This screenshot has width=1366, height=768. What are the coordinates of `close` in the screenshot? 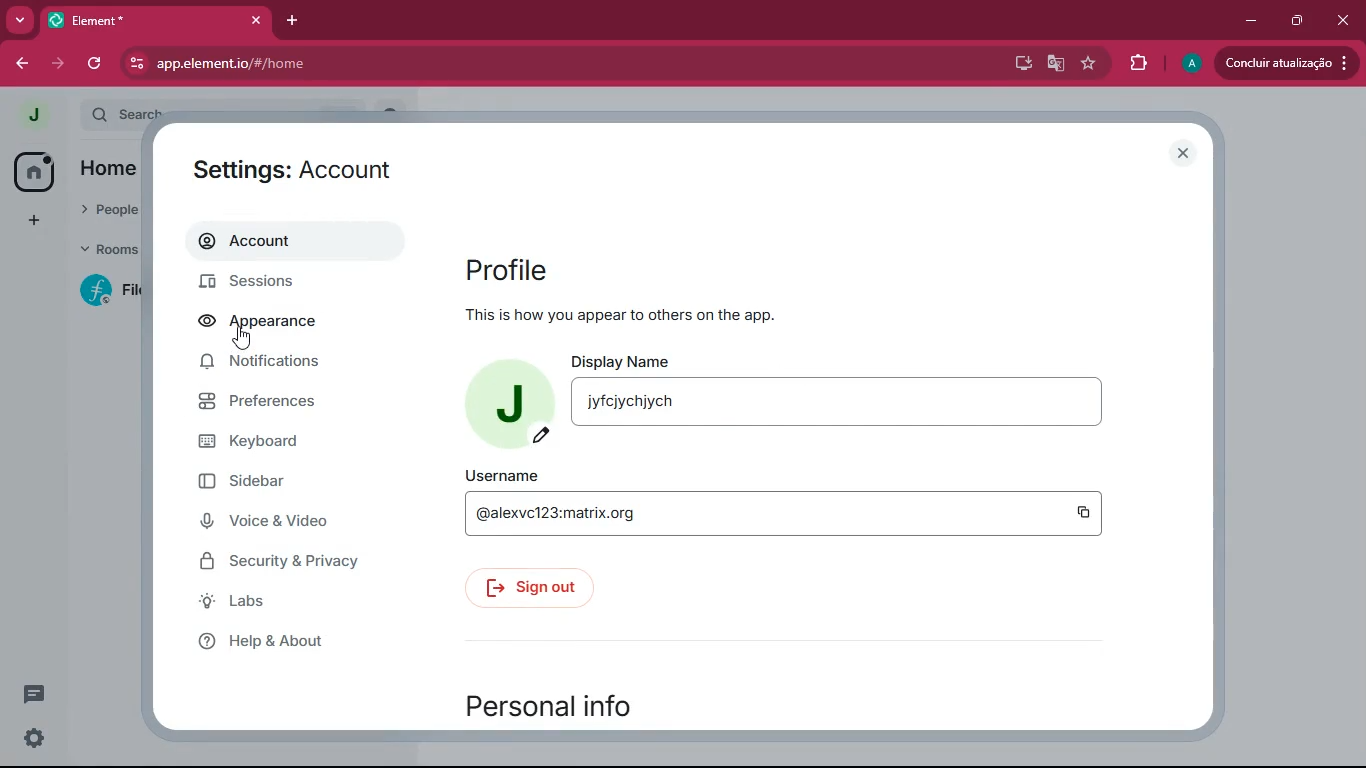 It's located at (1341, 20).